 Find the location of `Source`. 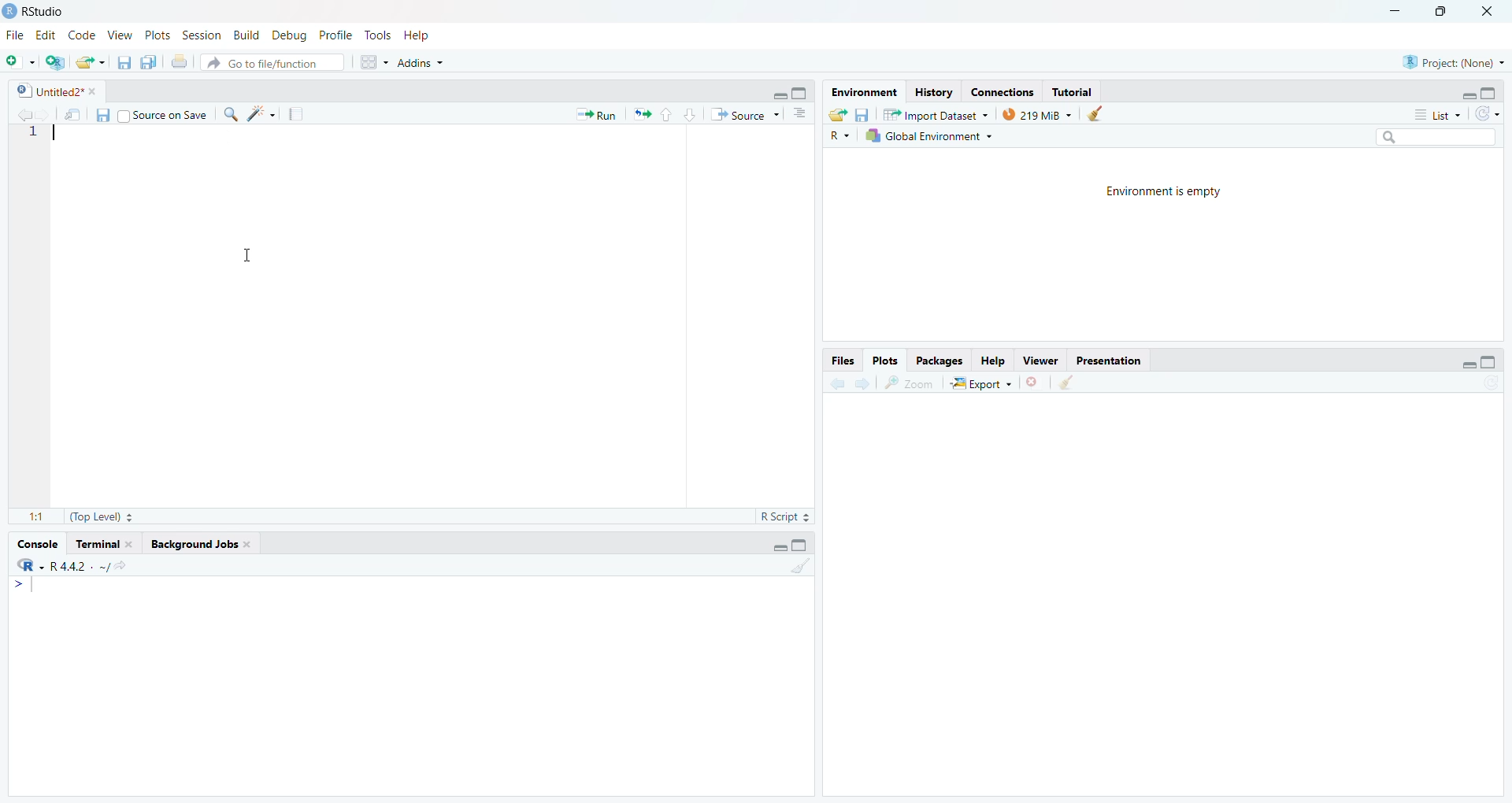

Source is located at coordinates (744, 114).